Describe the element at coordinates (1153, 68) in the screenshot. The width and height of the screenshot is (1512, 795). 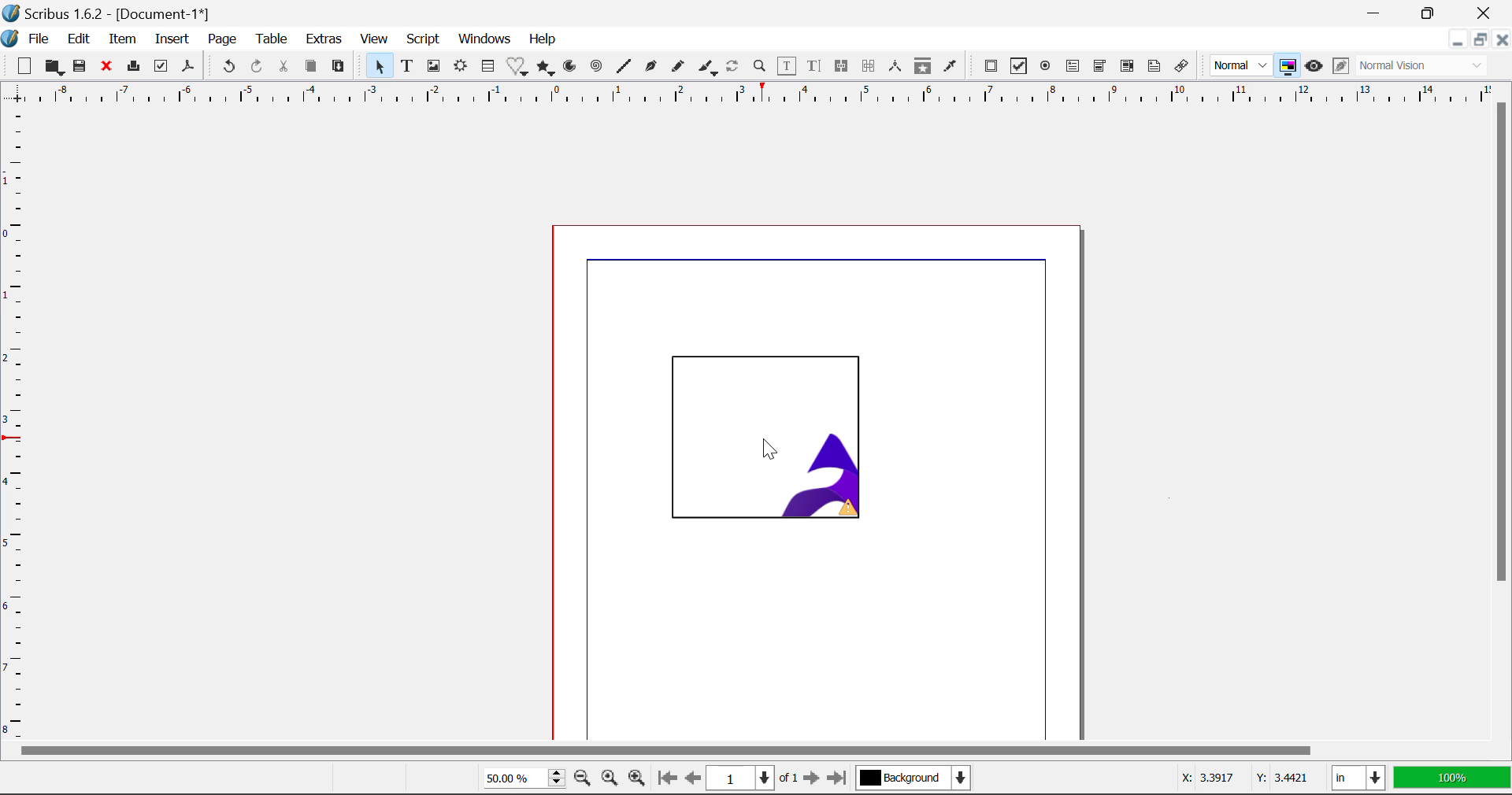
I see `Text Annotation` at that location.